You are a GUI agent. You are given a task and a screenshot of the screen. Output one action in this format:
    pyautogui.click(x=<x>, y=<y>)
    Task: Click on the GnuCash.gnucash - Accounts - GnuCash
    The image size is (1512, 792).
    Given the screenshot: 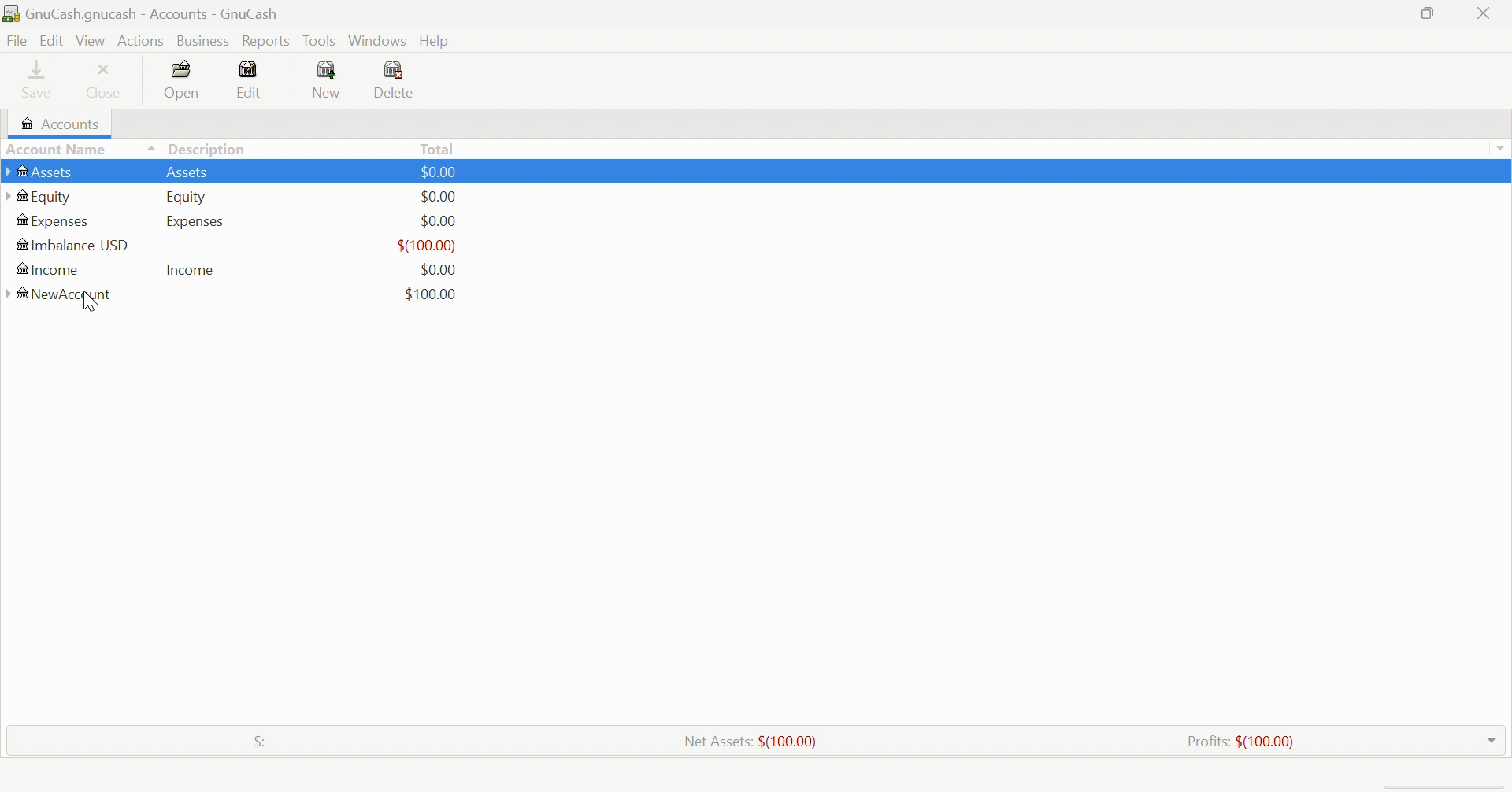 What is the action you would take?
    pyautogui.click(x=149, y=14)
    